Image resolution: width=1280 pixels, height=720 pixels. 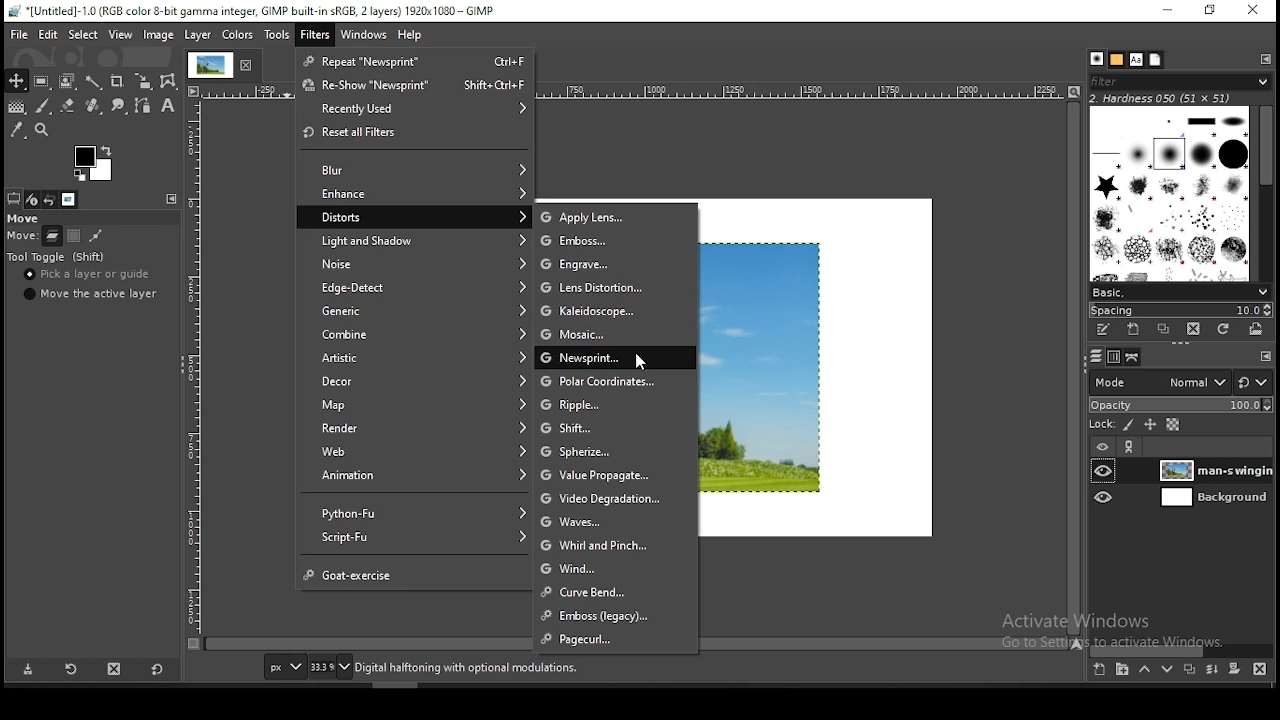 What do you see at coordinates (614, 476) in the screenshot?
I see `value propagate` at bounding box center [614, 476].